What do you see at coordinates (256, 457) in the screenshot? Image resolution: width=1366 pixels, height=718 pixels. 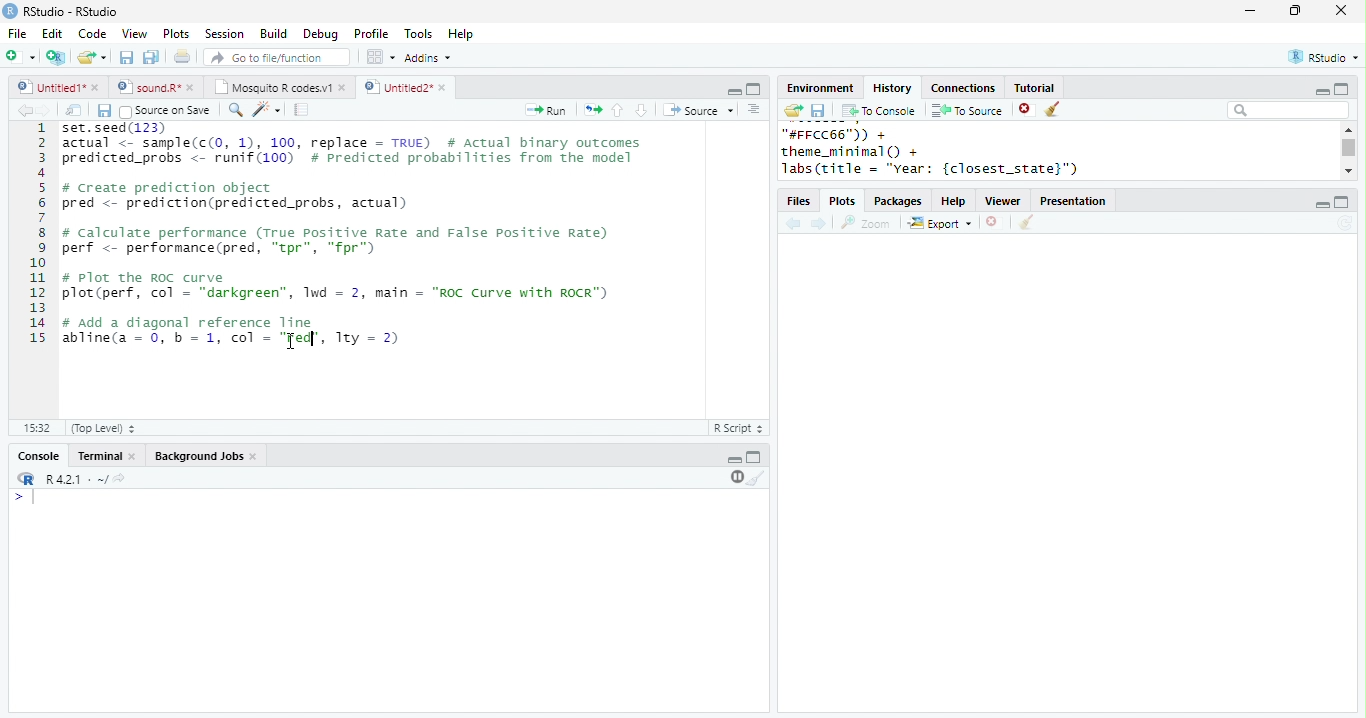 I see `close` at bounding box center [256, 457].